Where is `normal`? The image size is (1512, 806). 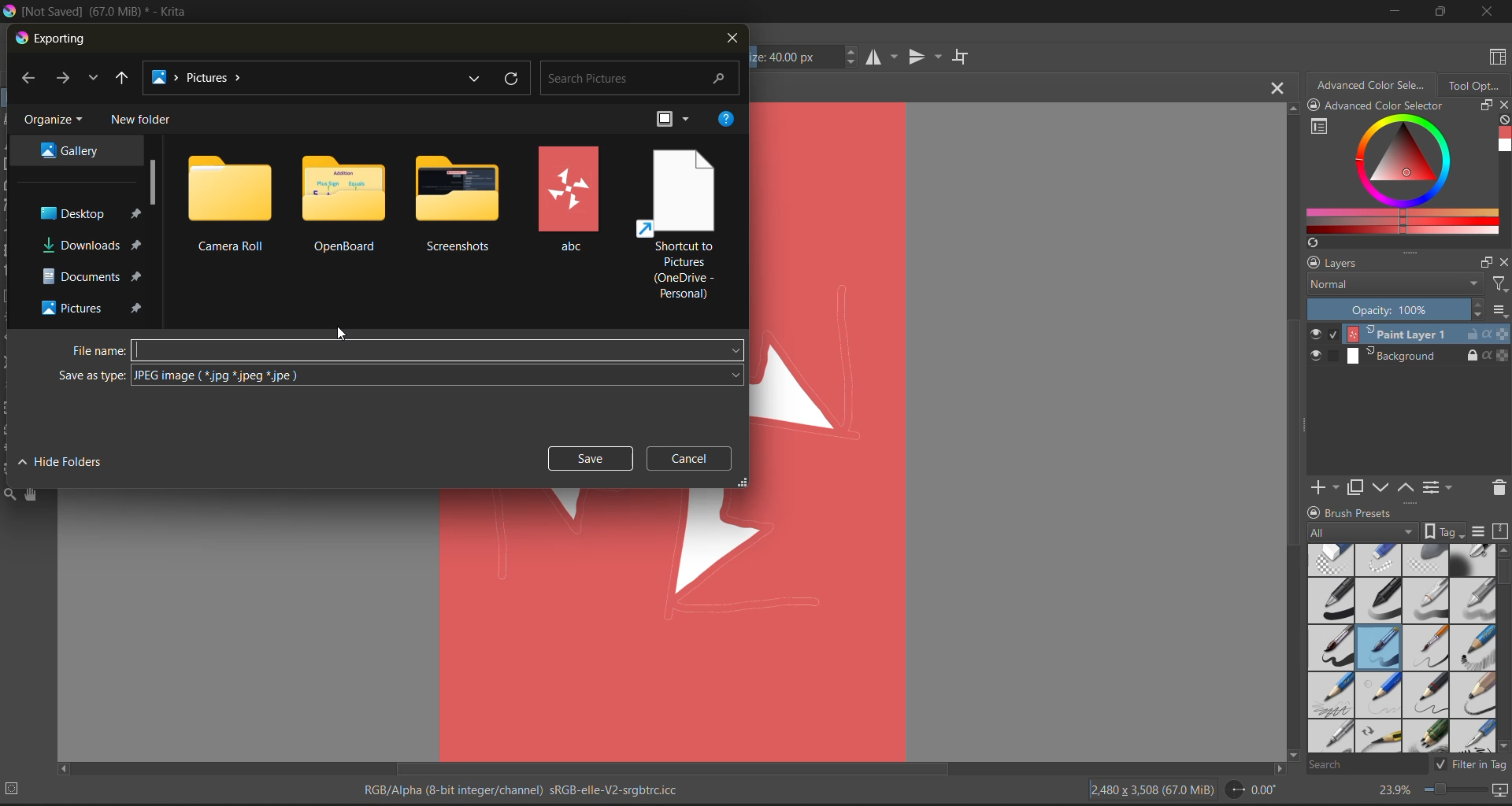 normal is located at coordinates (1396, 289).